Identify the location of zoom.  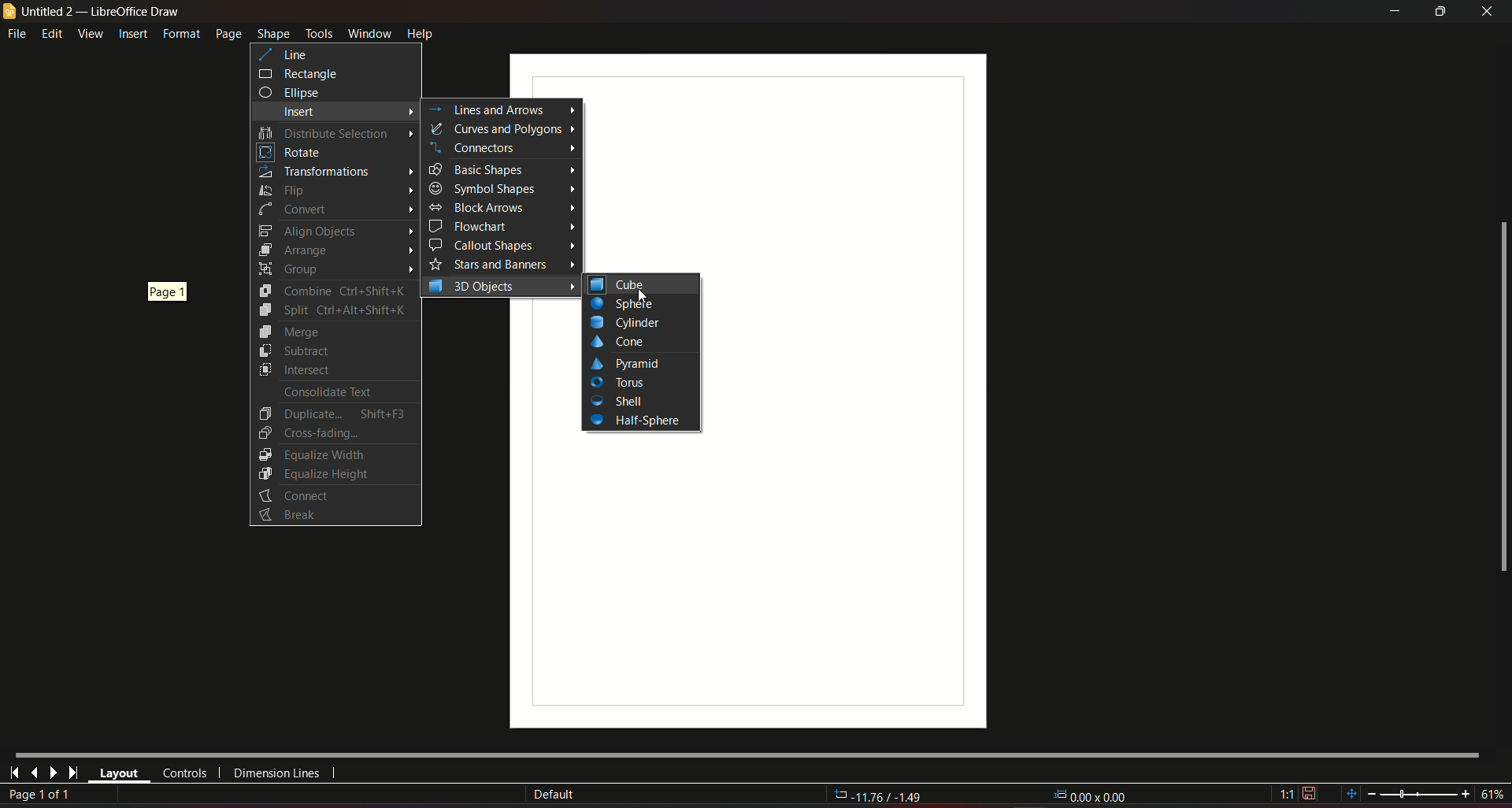
(1423, 792).